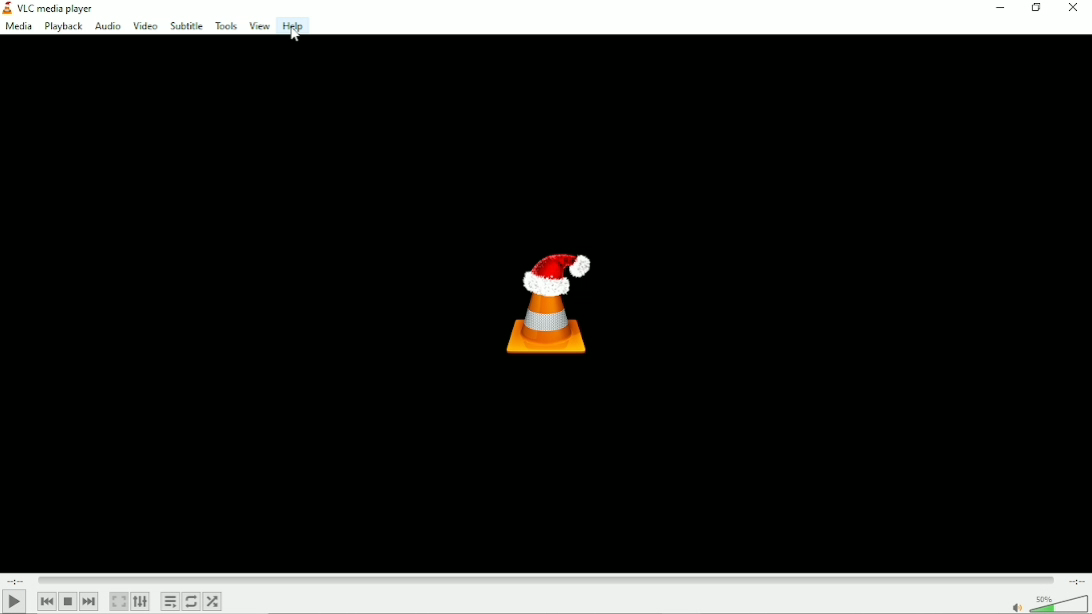 The width and height of the screenshot is (1092, 614). I want to click on Video, so click(147, 25).